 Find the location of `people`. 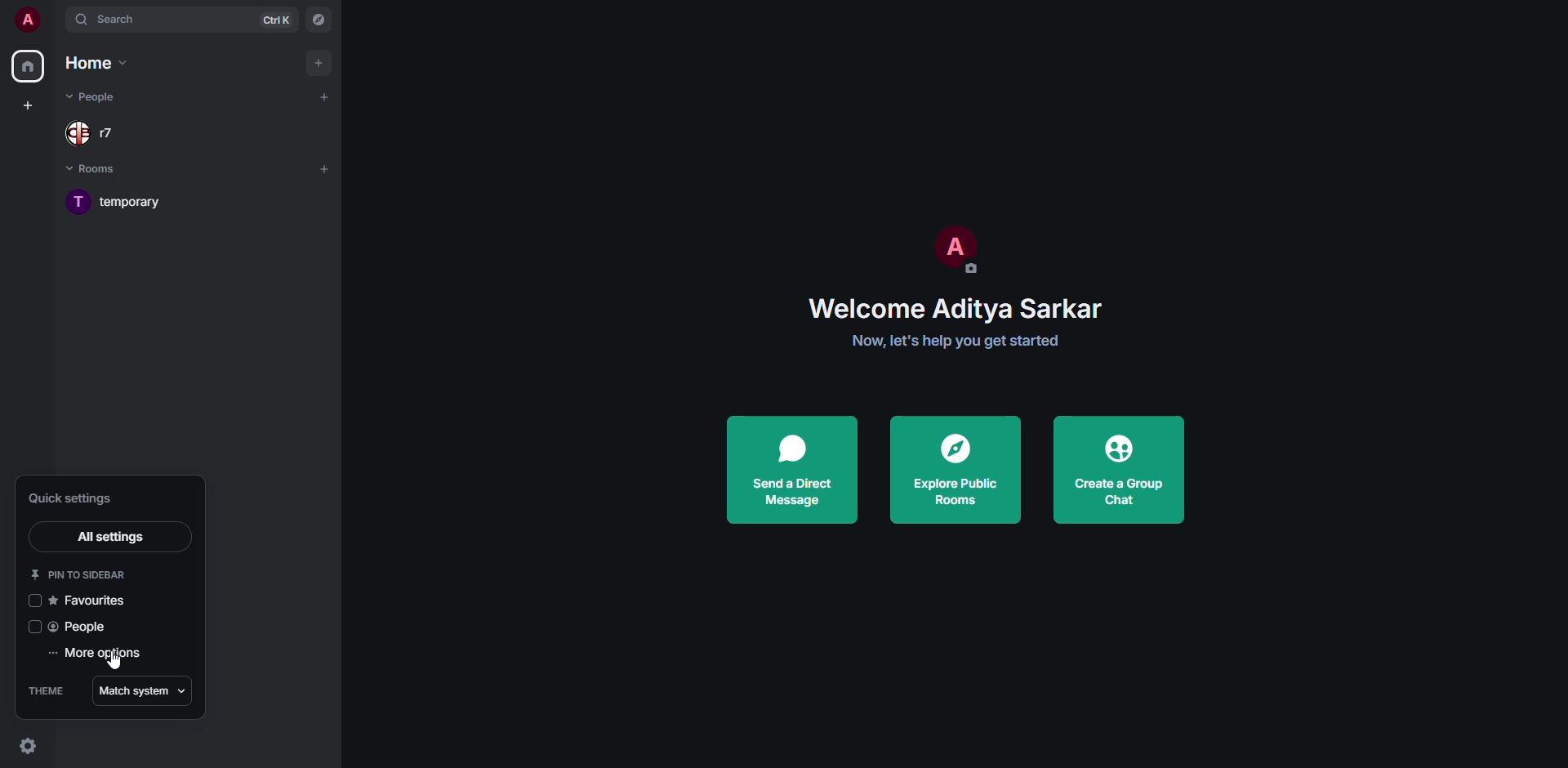

people is located at coordinates (91, 132).